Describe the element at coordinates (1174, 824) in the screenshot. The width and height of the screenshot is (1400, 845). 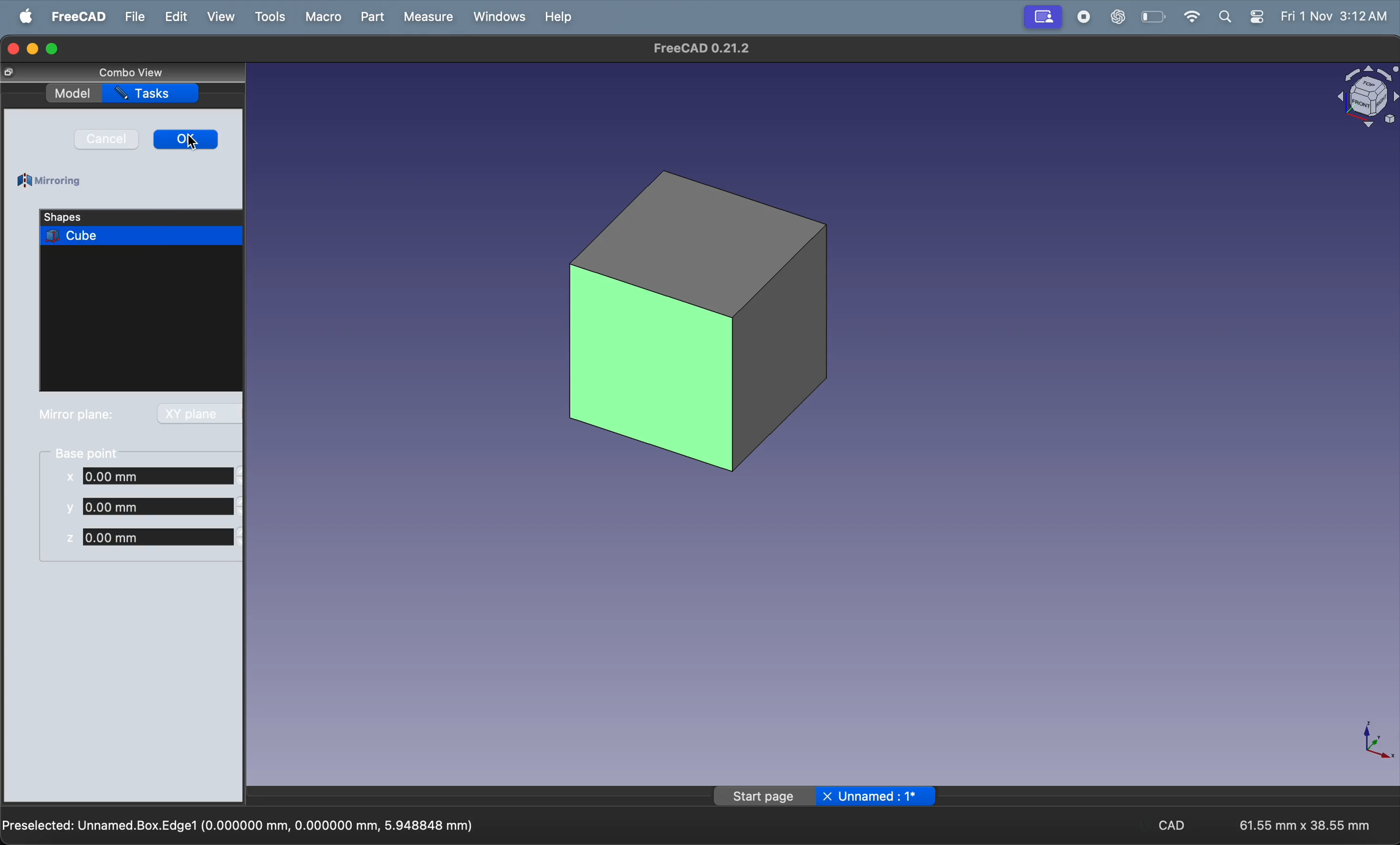
I see `cad` at that location.